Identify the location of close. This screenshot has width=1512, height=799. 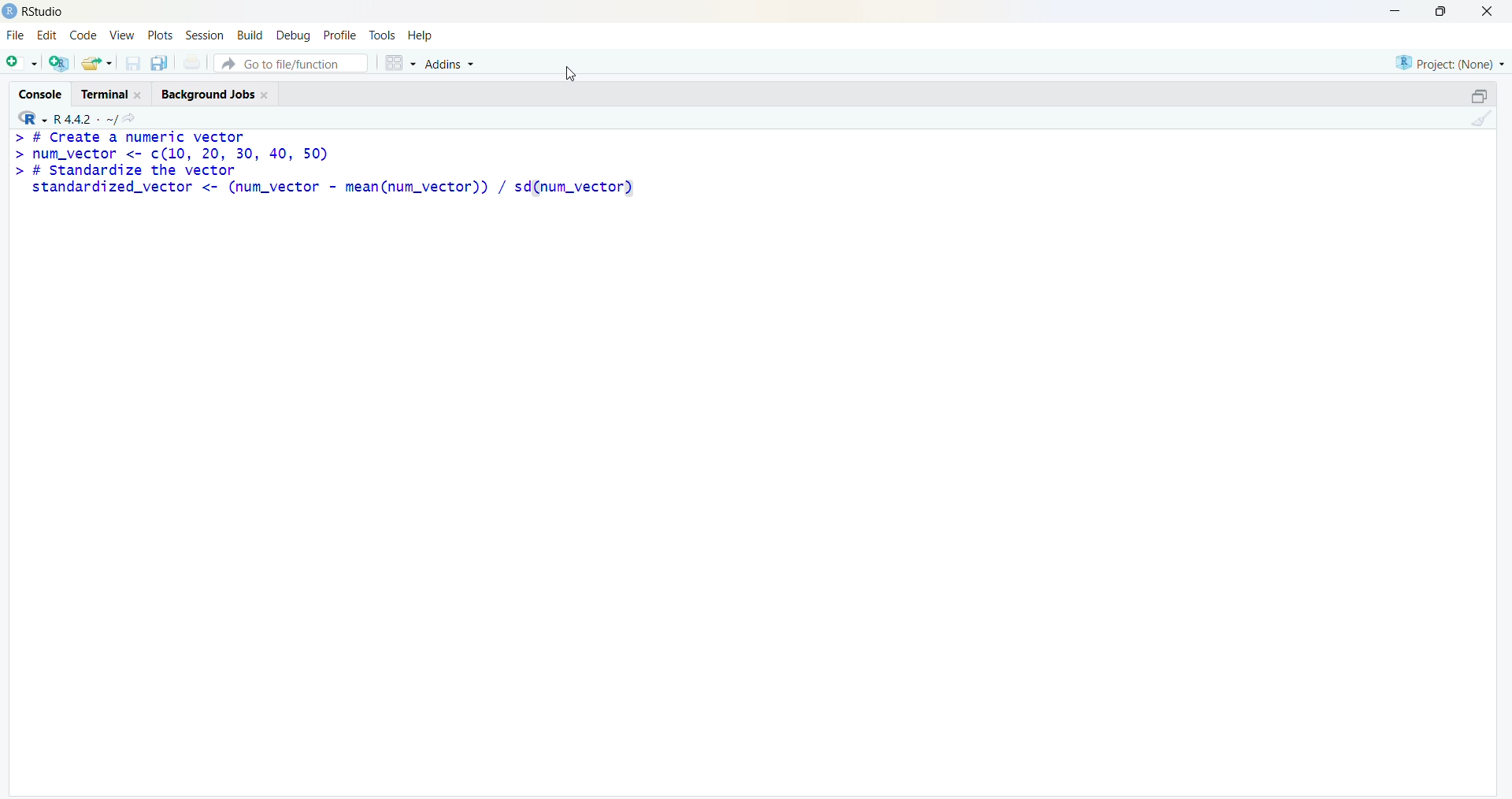
(139, 95).